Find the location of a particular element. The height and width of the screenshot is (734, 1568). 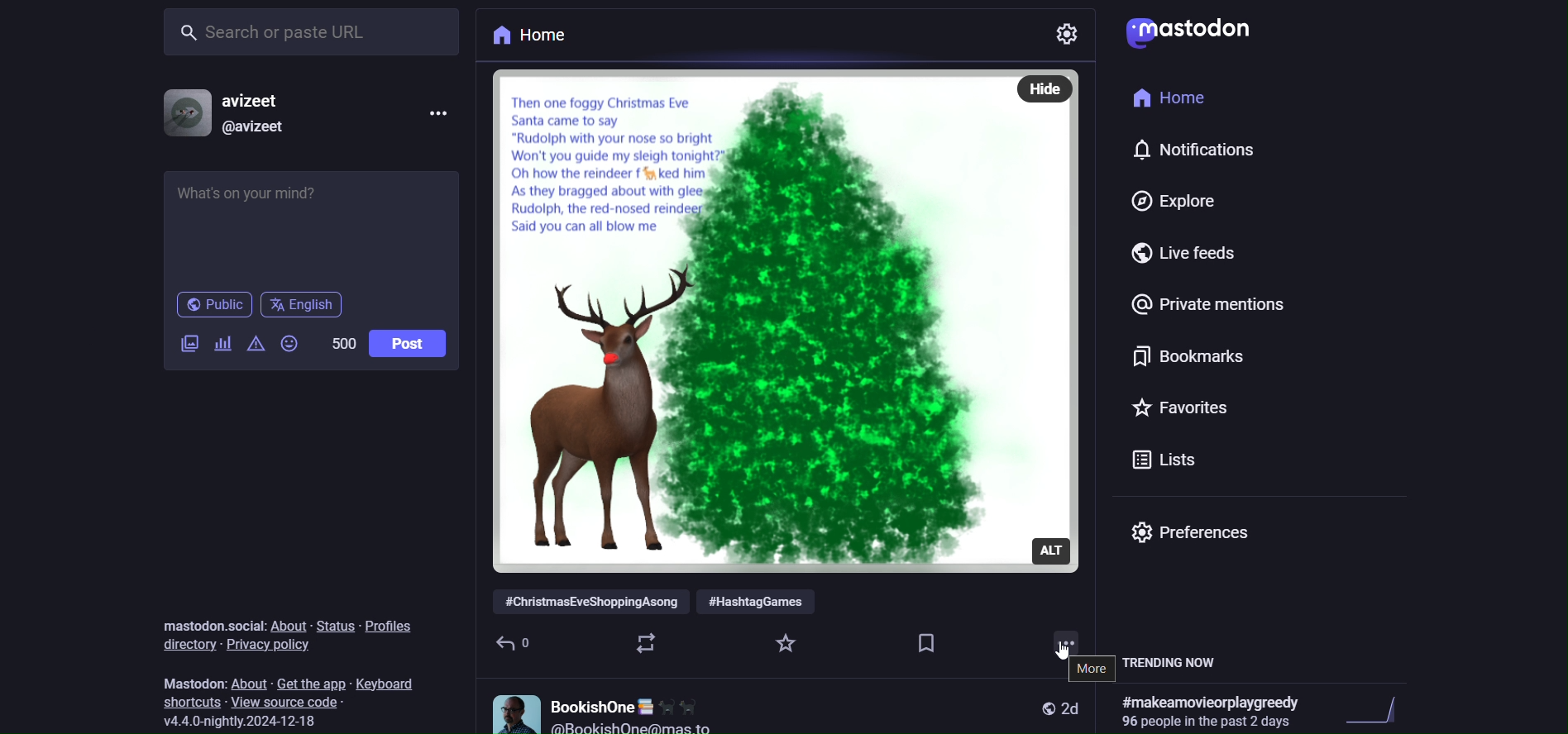

profiles is located at coordinates (393, 625).